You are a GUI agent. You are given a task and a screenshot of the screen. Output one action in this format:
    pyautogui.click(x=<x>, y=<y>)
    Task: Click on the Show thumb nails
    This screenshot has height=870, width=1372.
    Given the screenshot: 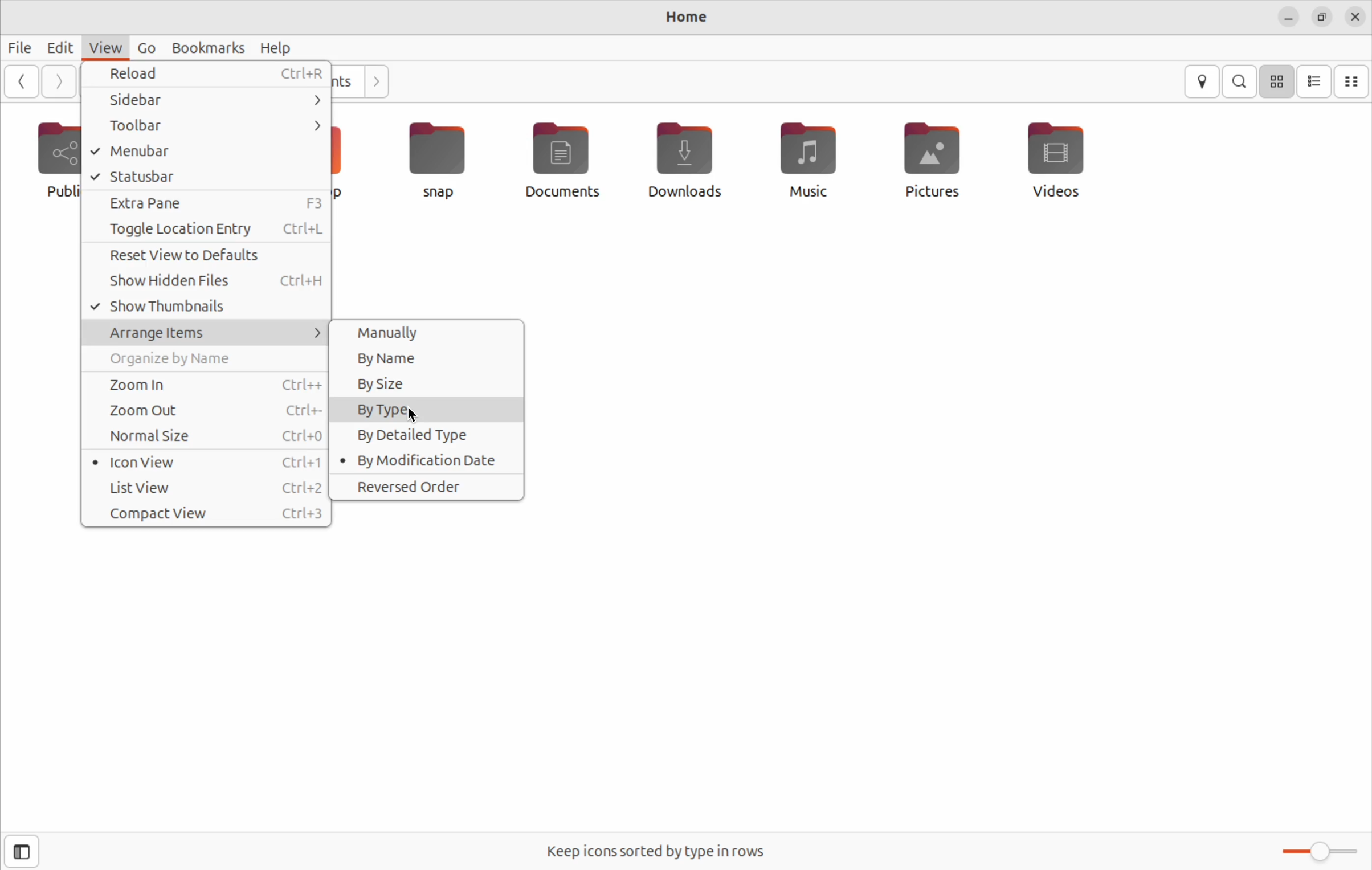 What is the action you would take?
    pyautogui.click(x=208, y=306)
    